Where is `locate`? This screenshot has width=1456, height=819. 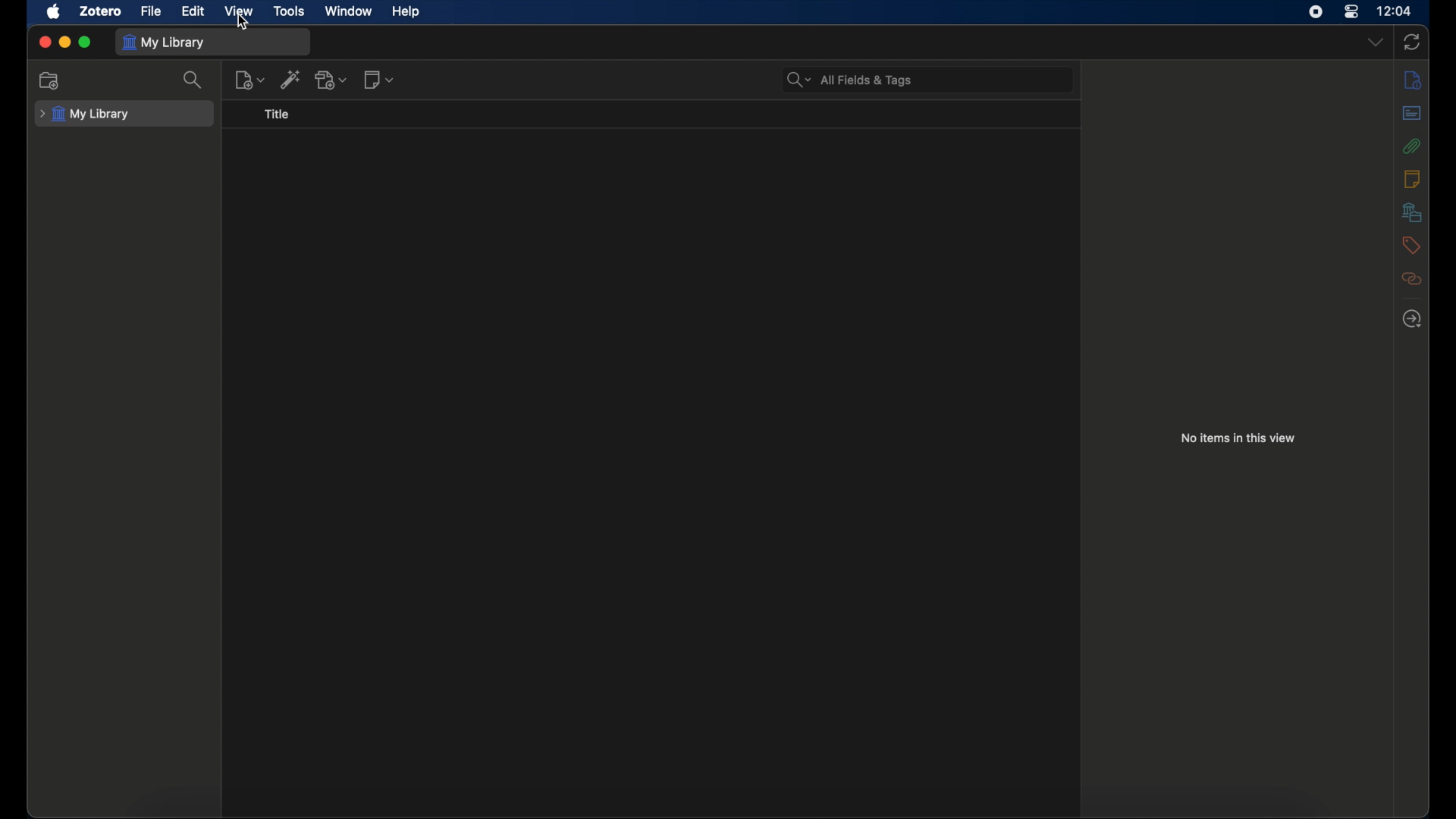 locate is located at coordinates (1412, 319).